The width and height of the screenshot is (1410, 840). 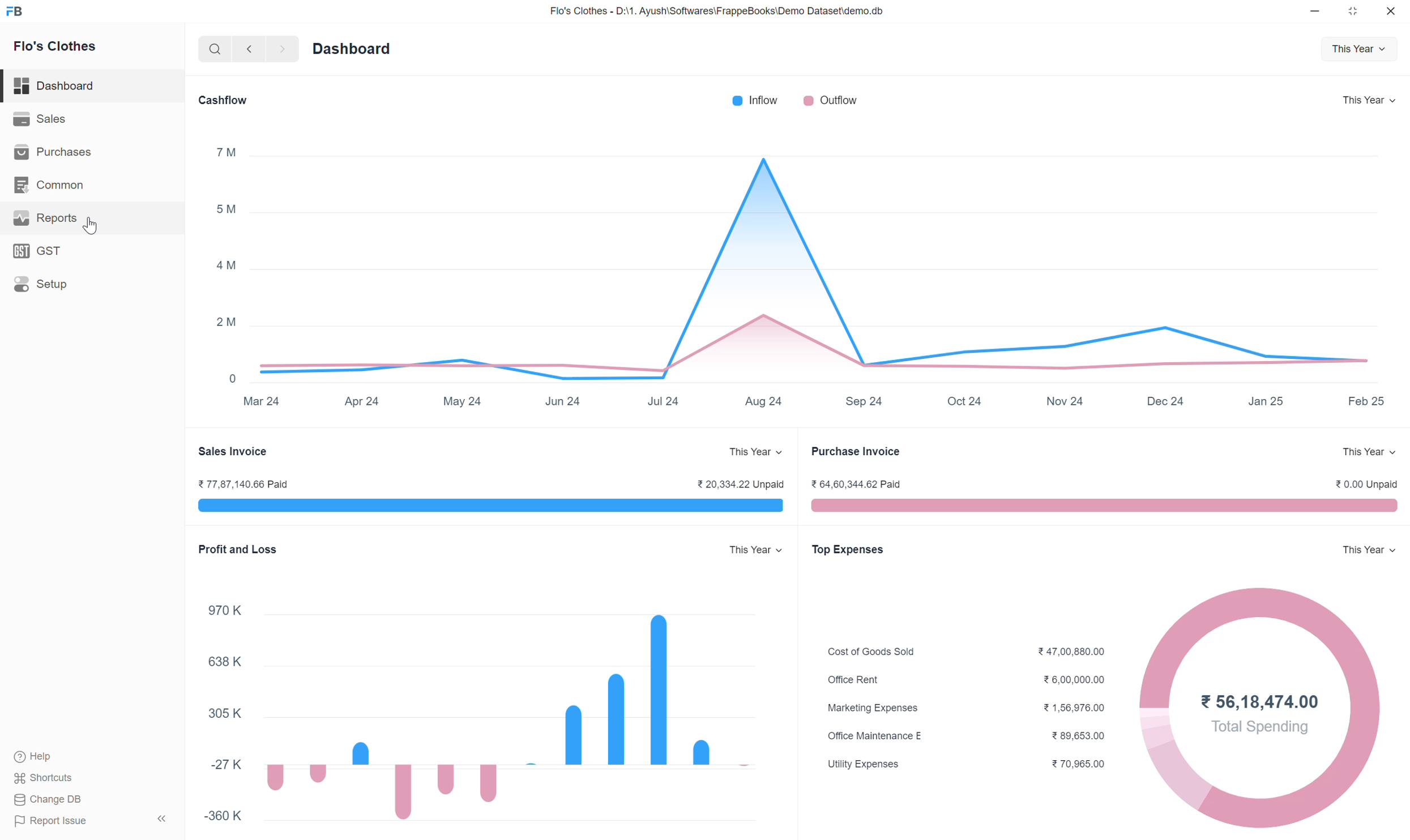 What do you see at coordinates (92, 822) in the screenshot?
I see `Report Issue` at bounding box center [92, 822].